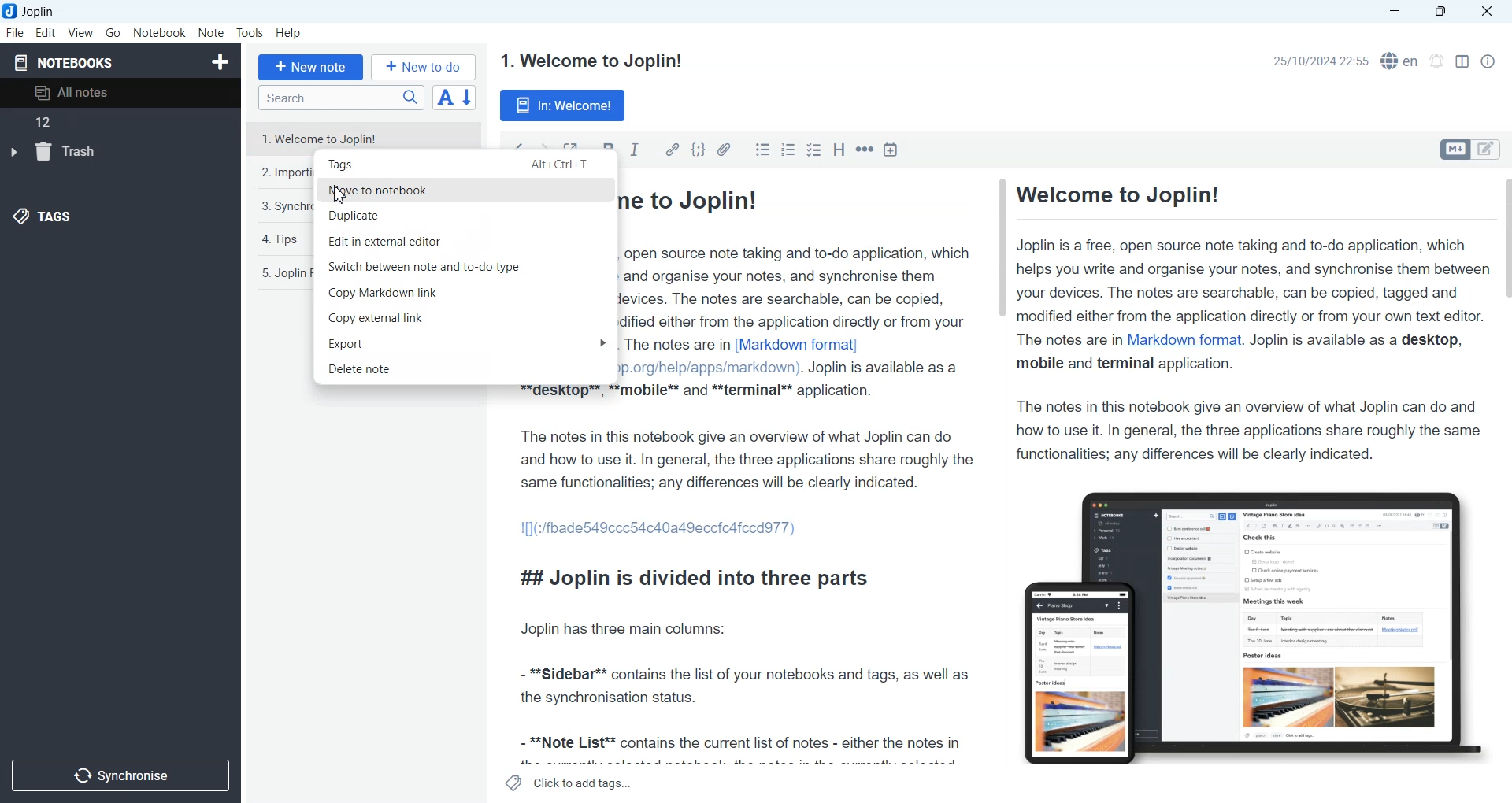 This screenshot has height=803, width=1512. What do you see at coordinates (465, 266) in the screenshot?
I see `Switch between note and to-do type` at bounding box center [465, 266].